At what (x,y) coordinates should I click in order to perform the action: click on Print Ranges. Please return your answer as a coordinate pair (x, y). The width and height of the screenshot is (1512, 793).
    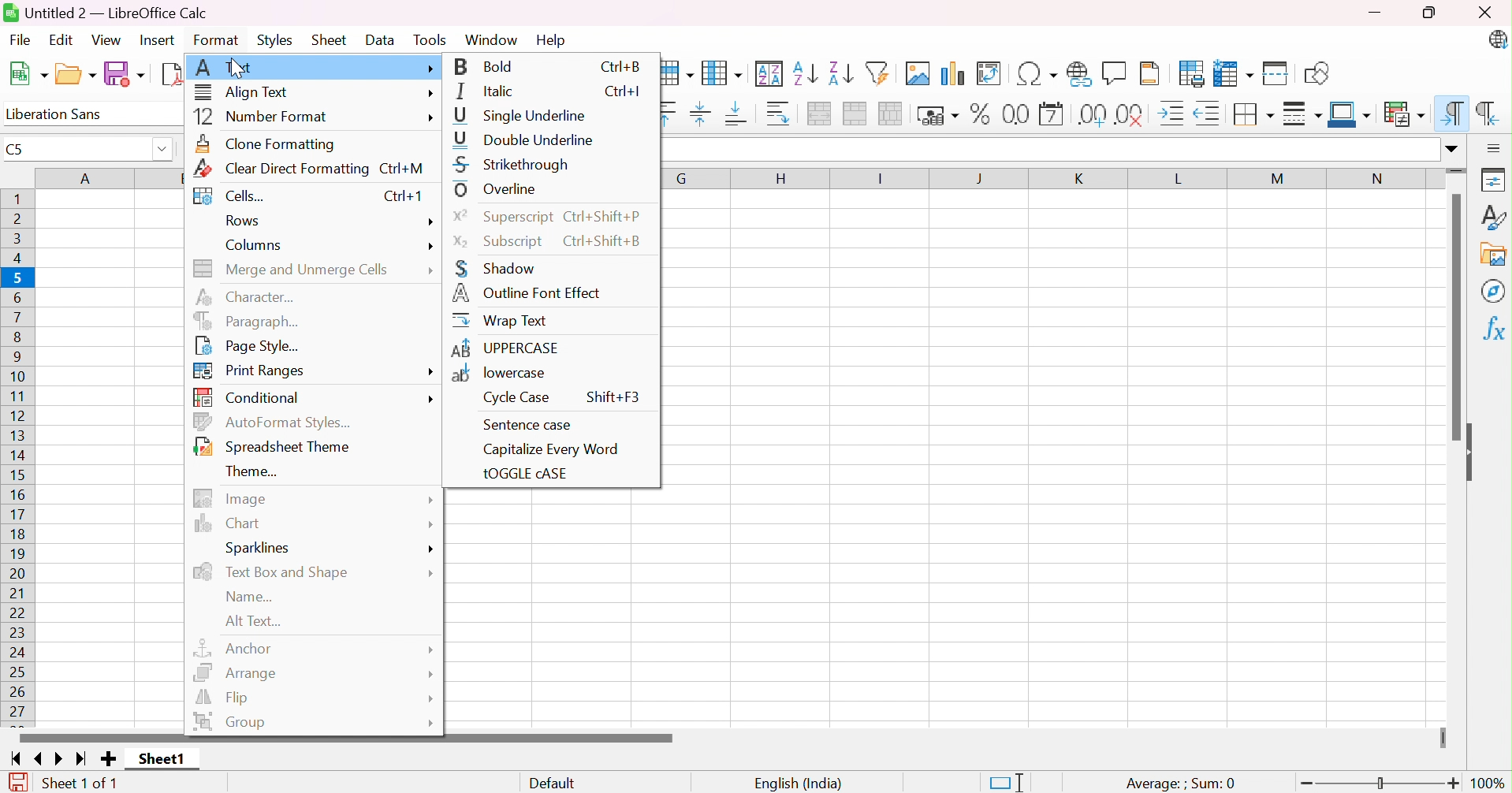
    Looking at the image, I should click on (248, 371).